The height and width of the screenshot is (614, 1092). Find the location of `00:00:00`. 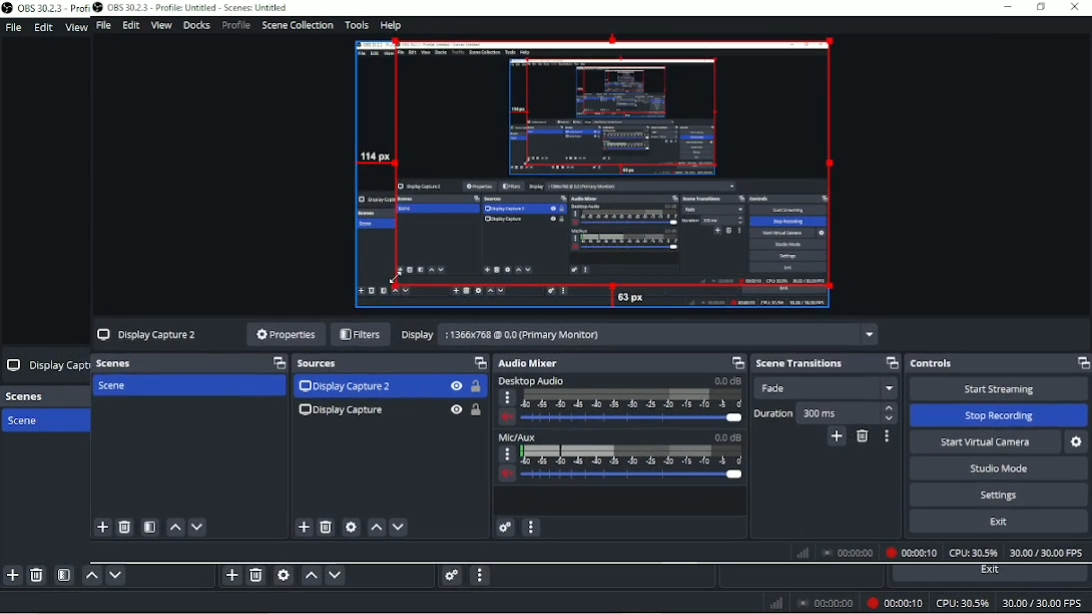

00:00:00 is located at coordinates (850, 553).